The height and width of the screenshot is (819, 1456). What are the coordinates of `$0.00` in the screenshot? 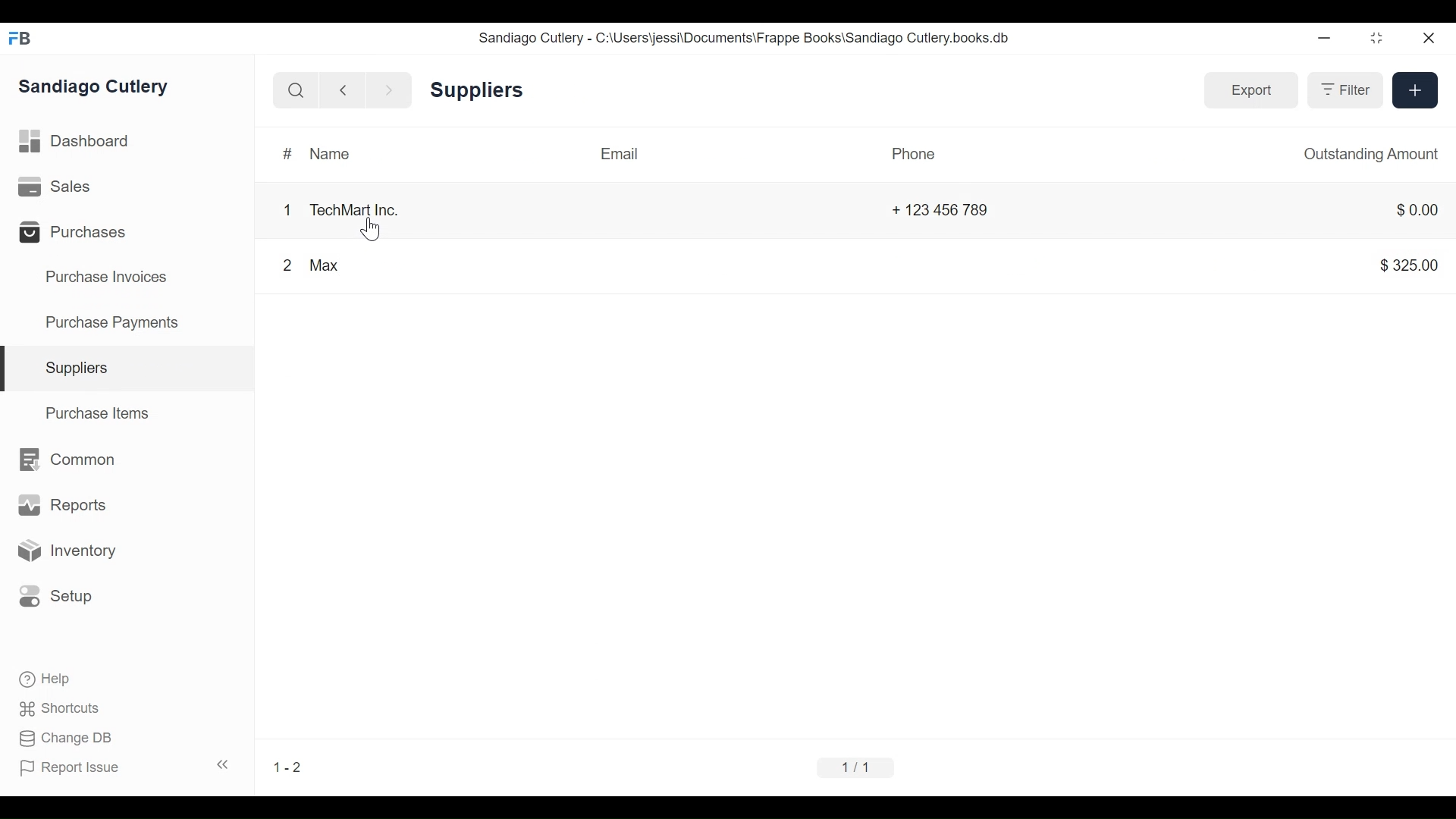 It's located at (1407, 212).